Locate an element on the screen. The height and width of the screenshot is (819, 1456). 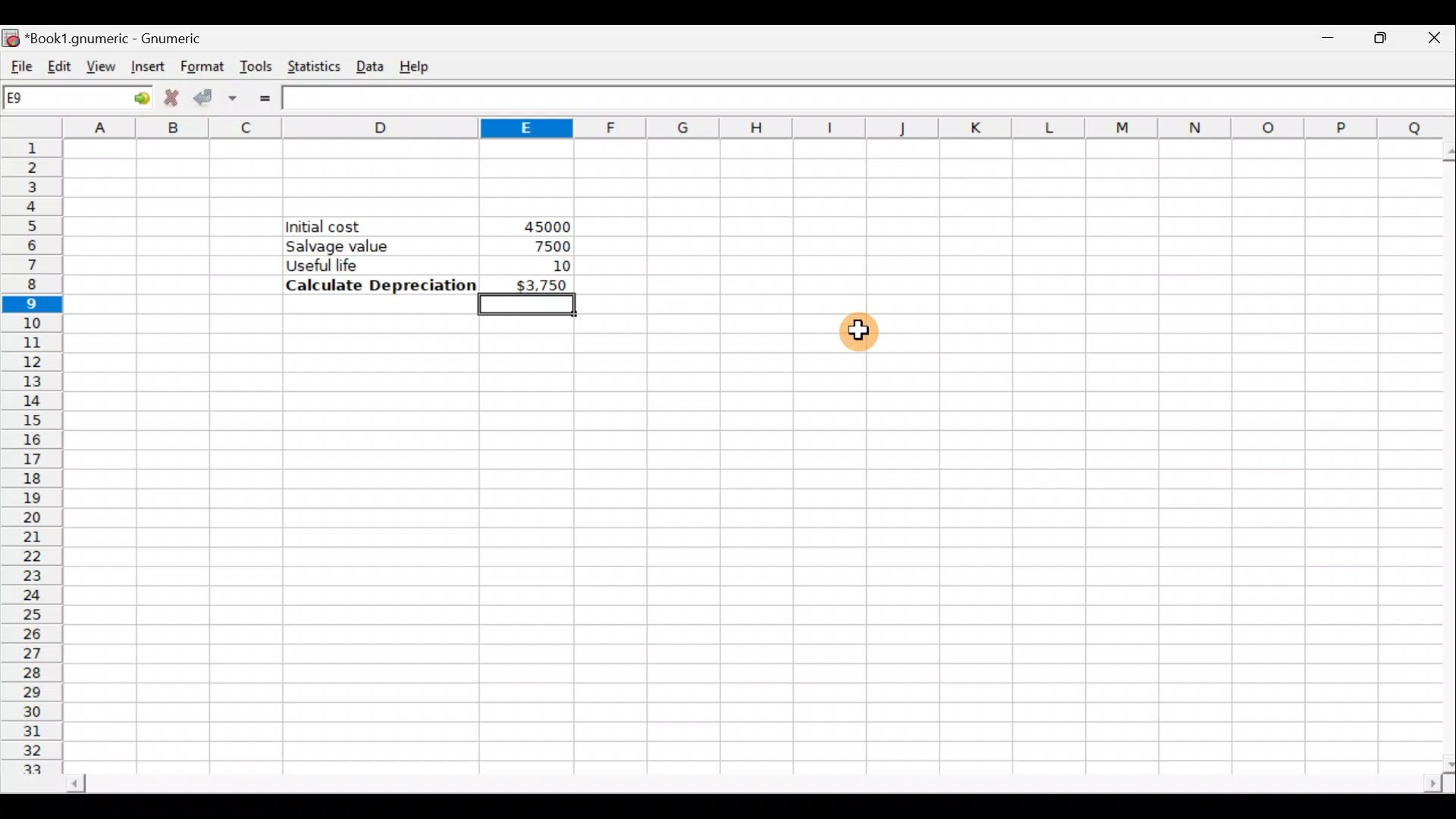
10 is located at coordinates (557, 264).